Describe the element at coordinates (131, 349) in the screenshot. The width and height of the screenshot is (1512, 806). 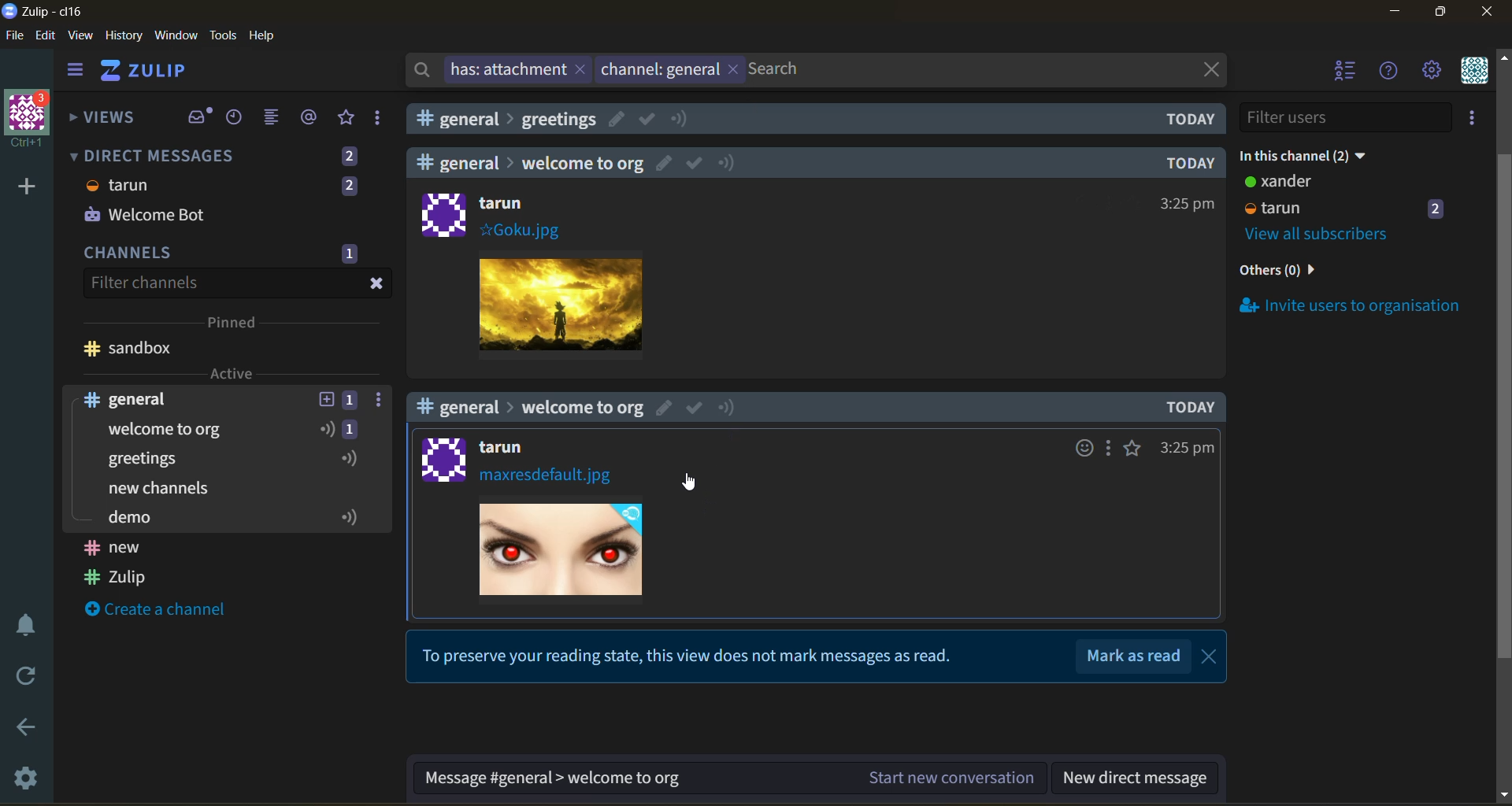
I see `# sandbox` at that location.